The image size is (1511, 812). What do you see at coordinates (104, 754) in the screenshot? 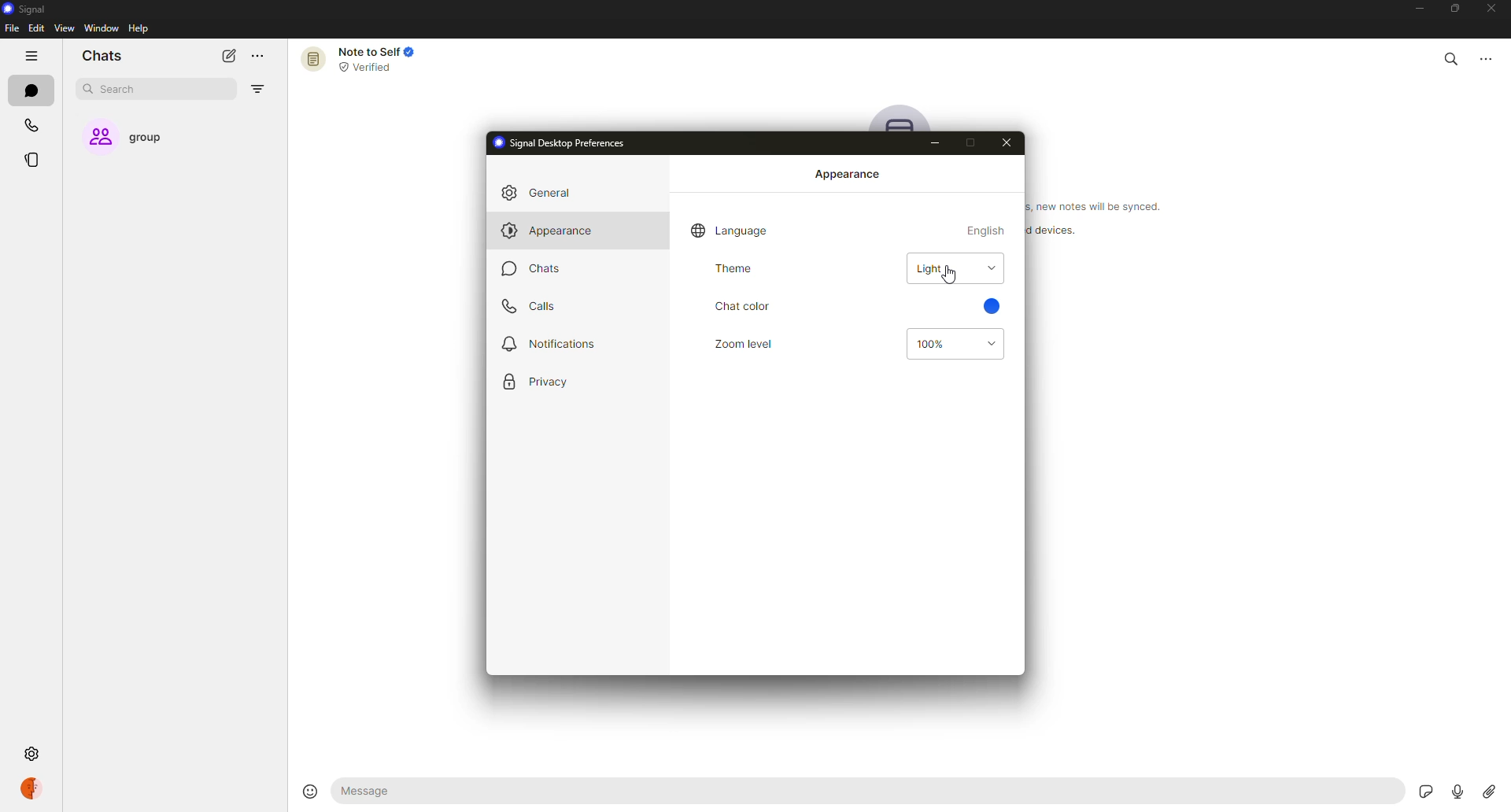
I see `settings` at bounding box center [104, 754].